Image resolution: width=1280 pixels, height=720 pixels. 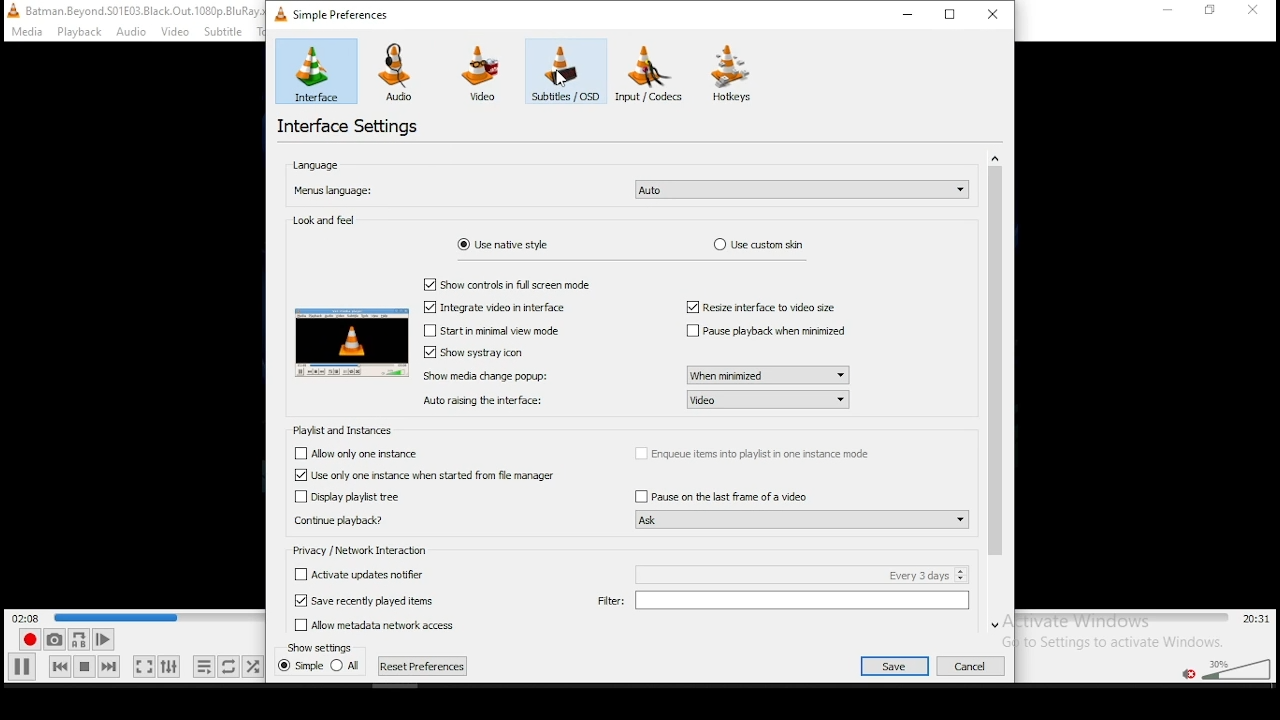 What do you see at coordinates (1235, 667) in the screenshot?
I see `volume` at bounding box center [1235, 667].